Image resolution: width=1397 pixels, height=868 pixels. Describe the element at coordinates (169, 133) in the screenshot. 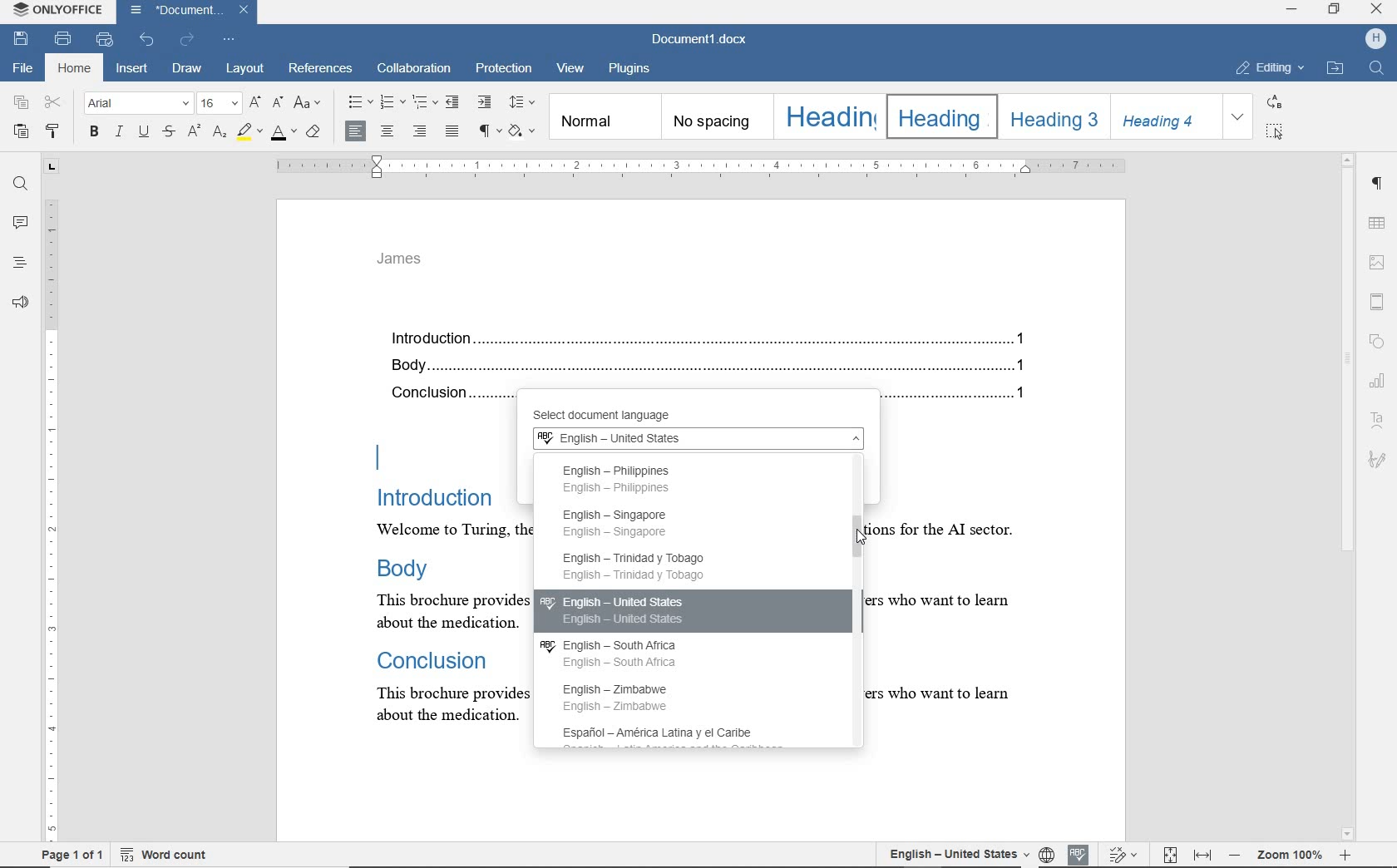

I see `strikethrough` at that location.